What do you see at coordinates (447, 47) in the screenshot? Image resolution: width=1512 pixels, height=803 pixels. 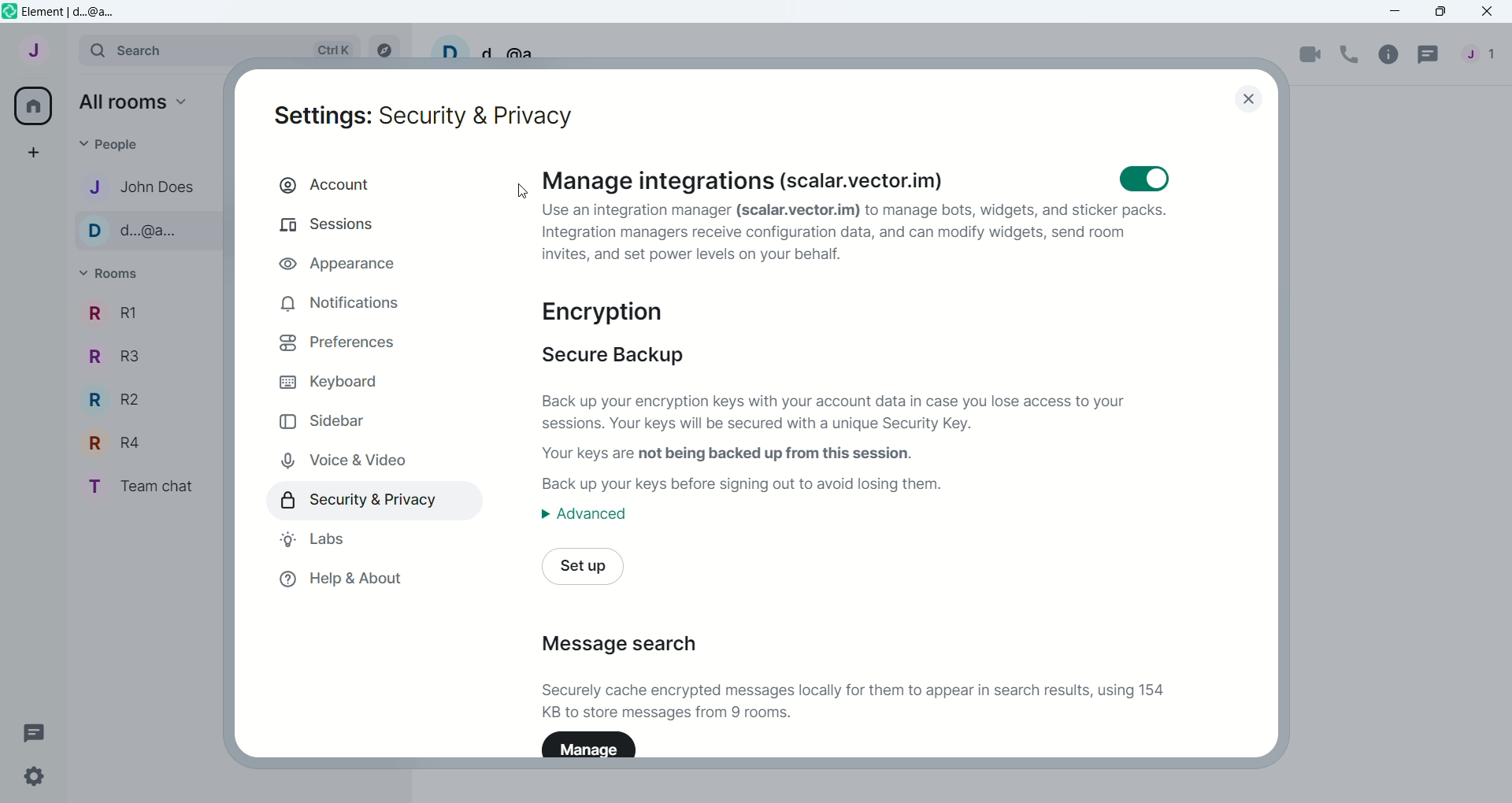 I see `D` at bounding box center [447, 47].